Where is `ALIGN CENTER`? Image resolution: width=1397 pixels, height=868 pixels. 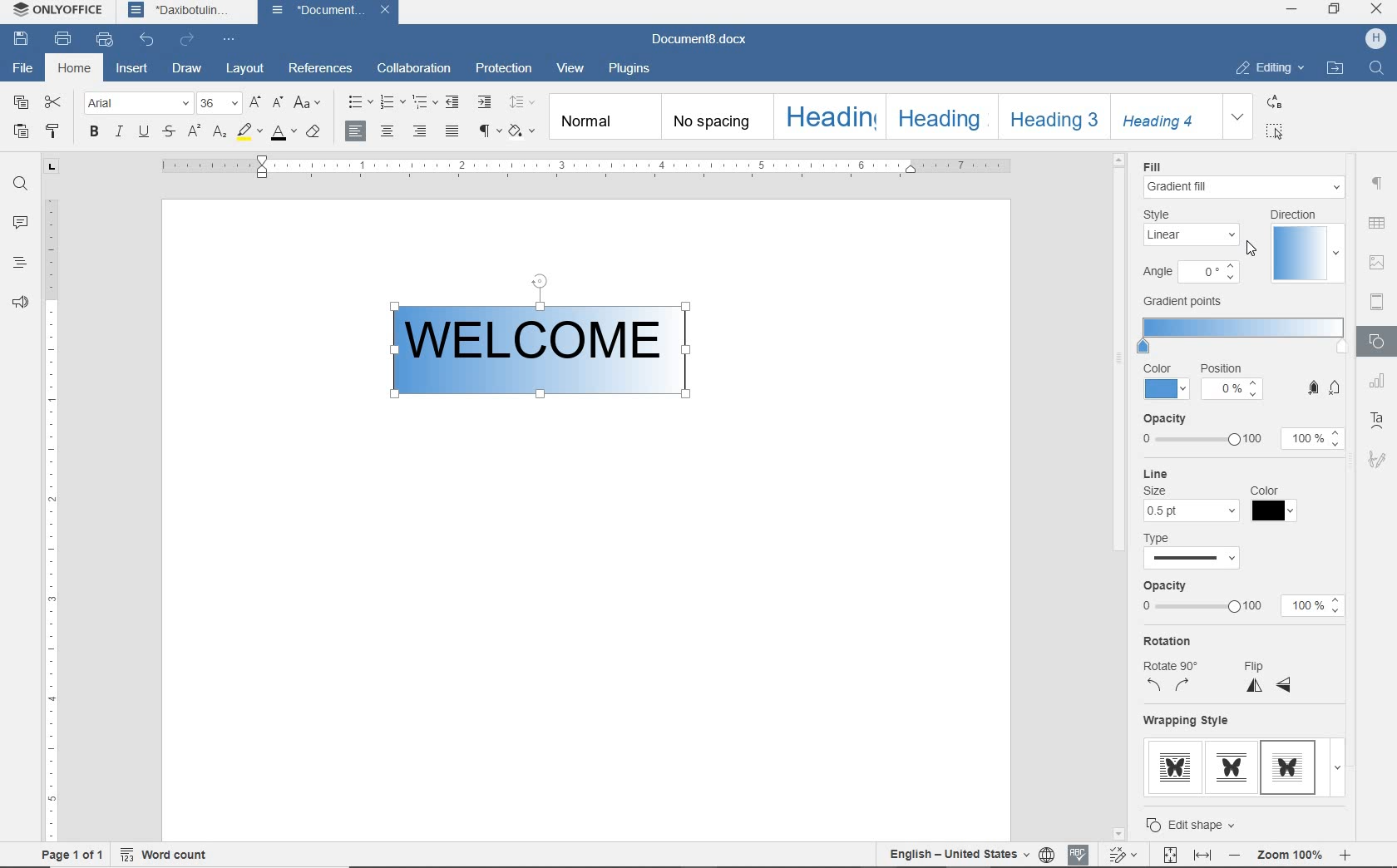 ALIGN CENTER is located at coordinates (388, 131).